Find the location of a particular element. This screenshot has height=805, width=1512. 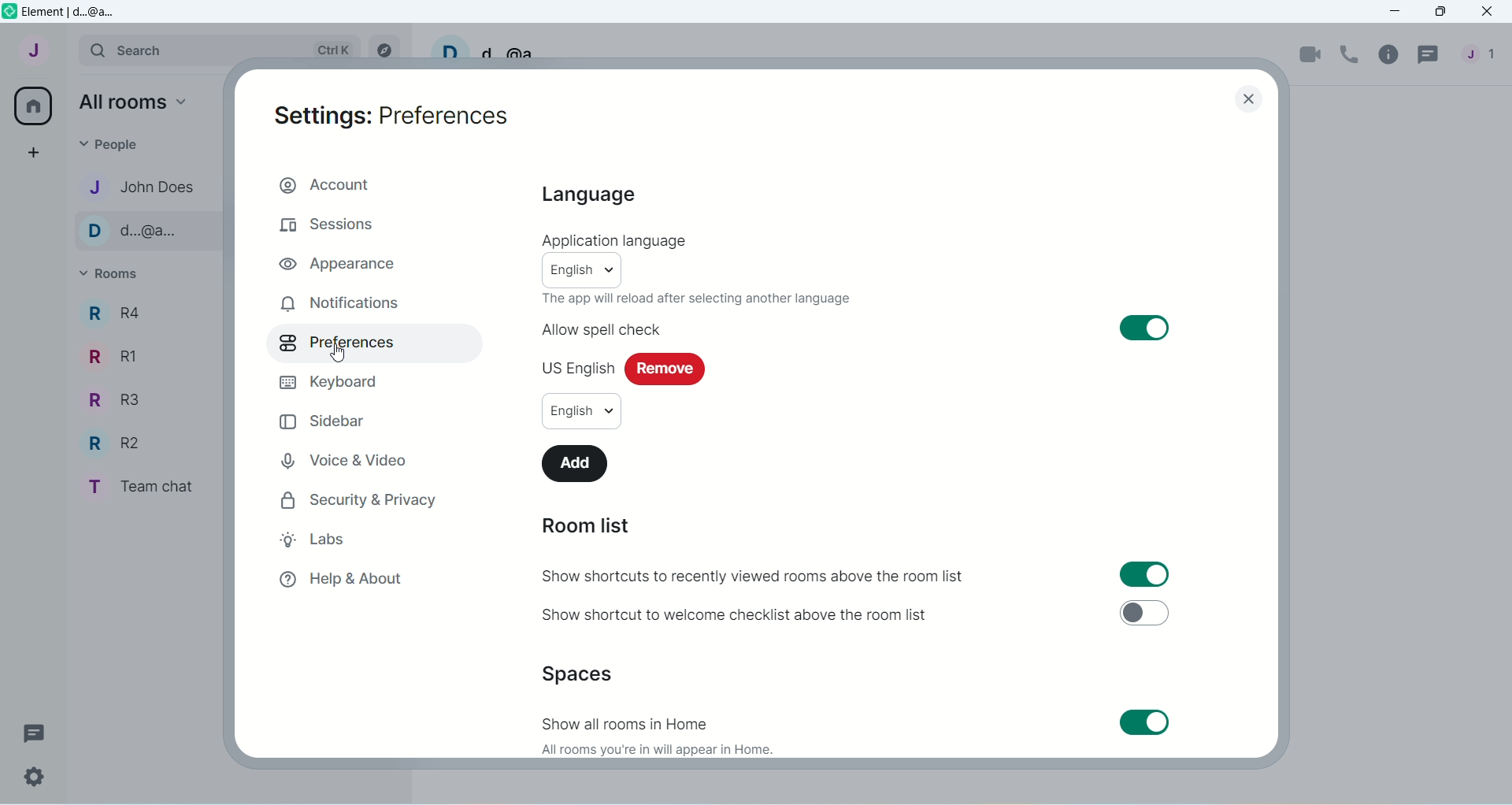

Settings :preferences is located at coordinates (398, 117).